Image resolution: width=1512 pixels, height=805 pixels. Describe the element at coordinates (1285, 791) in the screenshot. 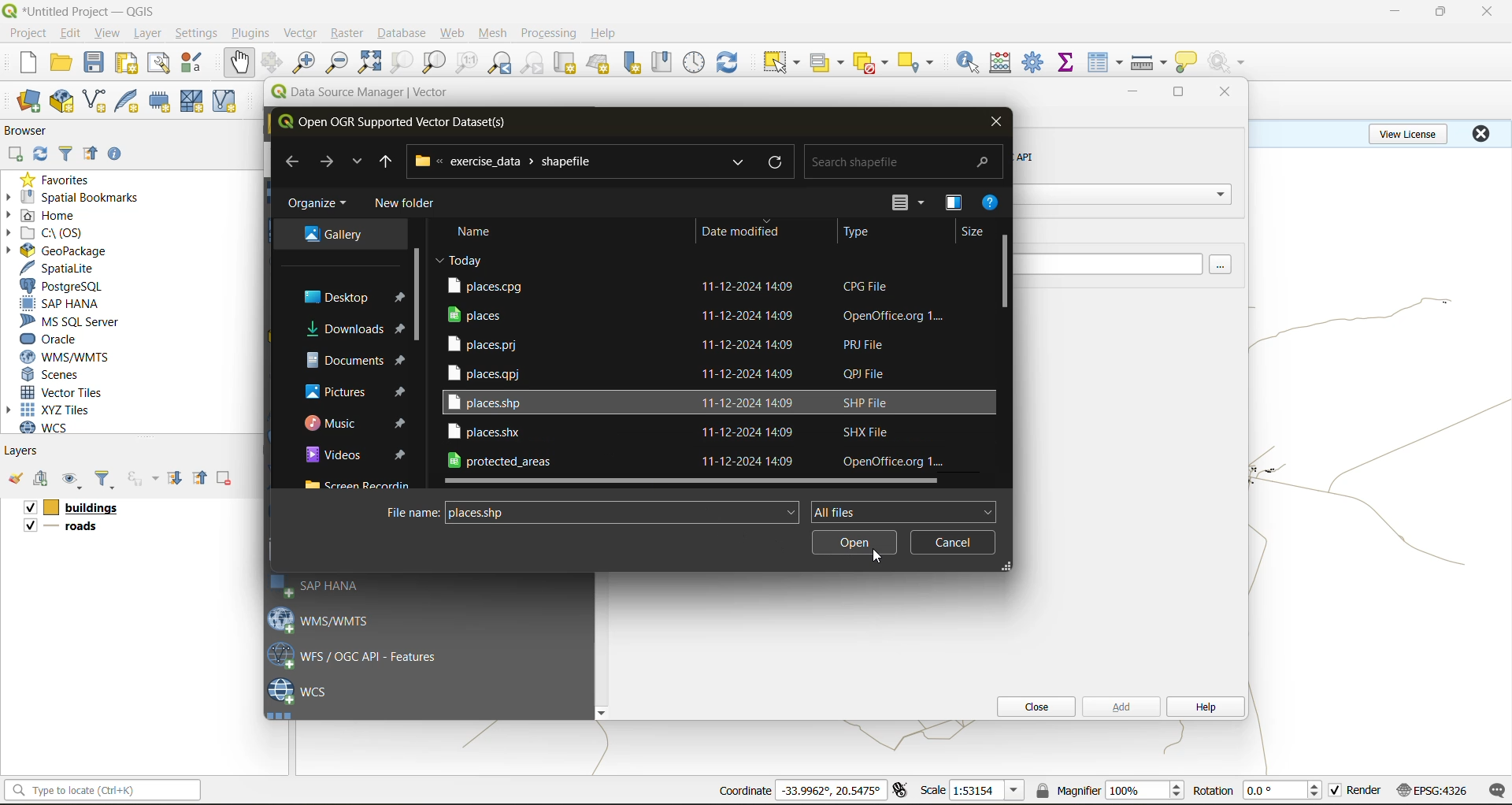

I see `rotation` at that location.